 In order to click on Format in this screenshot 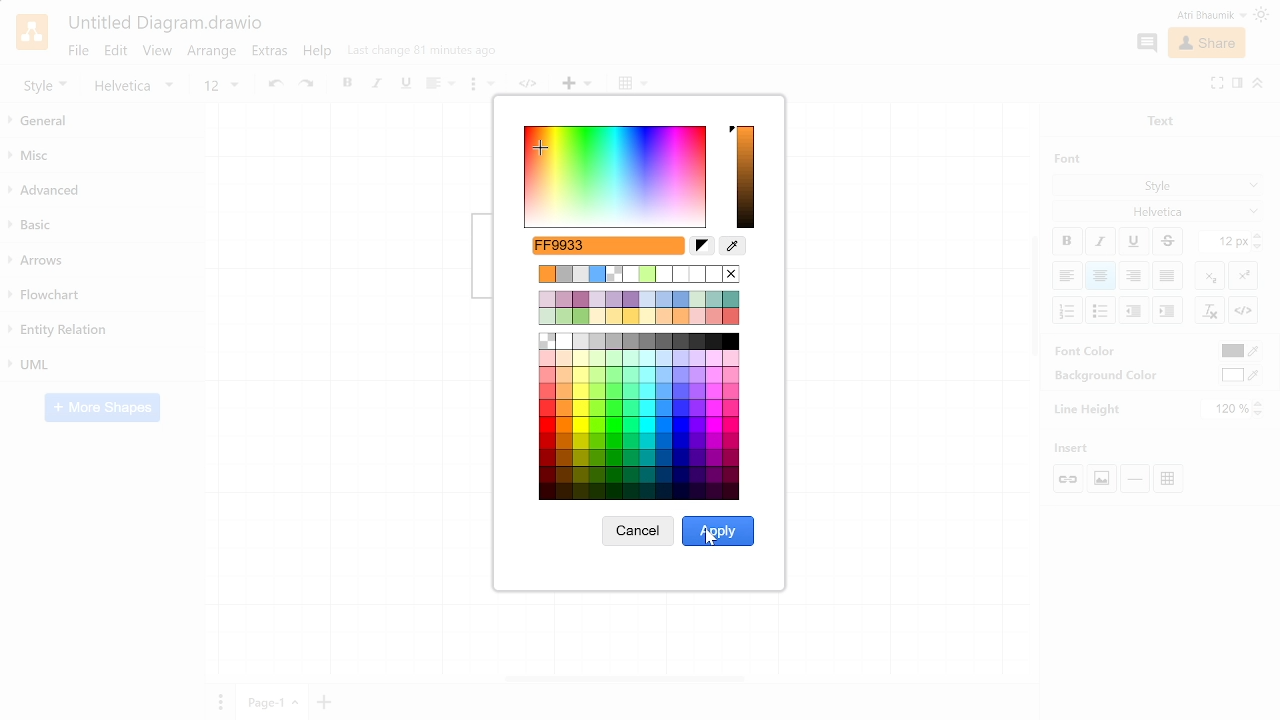, I will do `click(1237, 85)`.